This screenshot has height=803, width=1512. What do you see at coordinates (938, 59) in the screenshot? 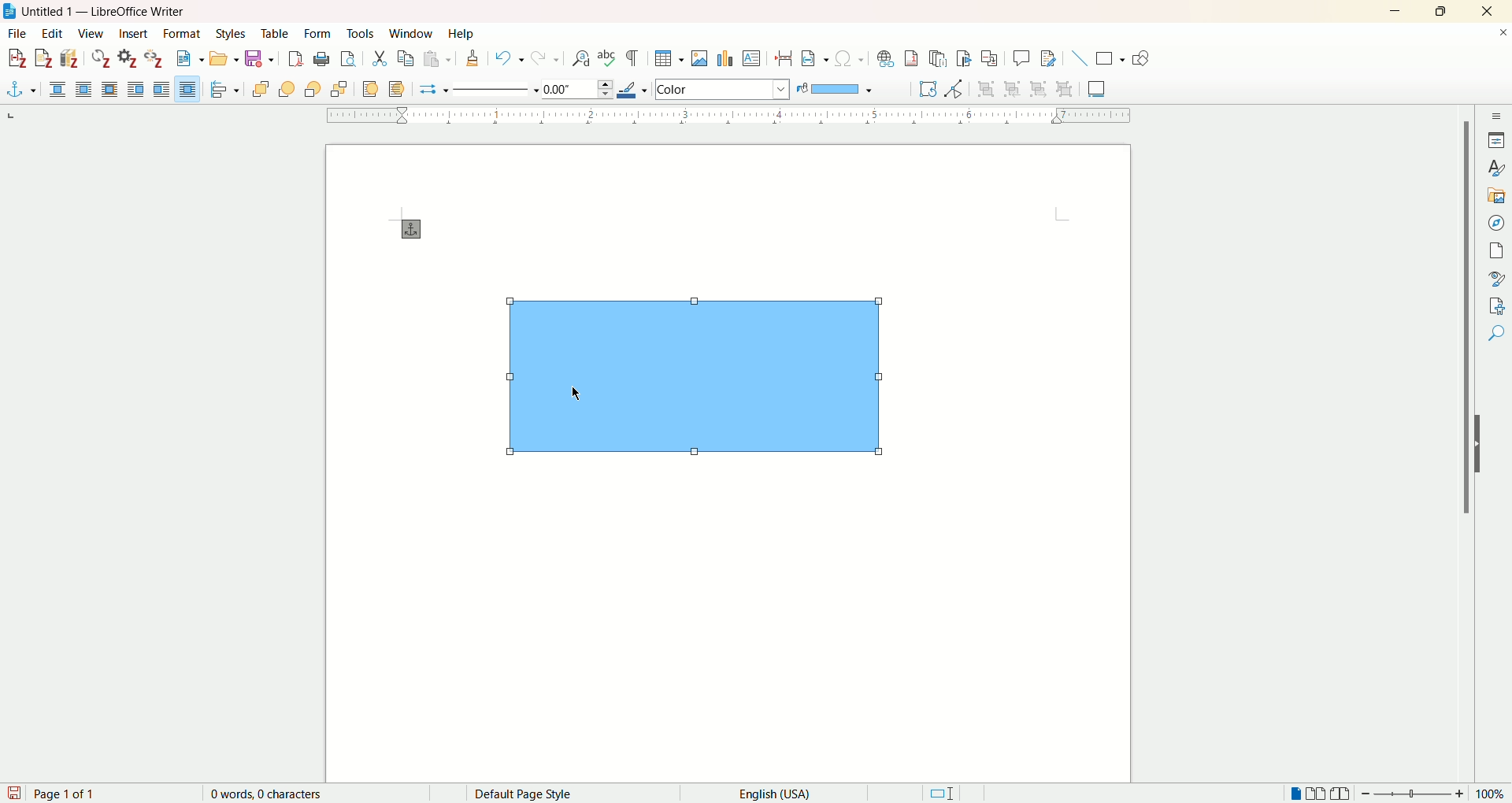
I see `insert endnote` at bounding box center [938, 59].